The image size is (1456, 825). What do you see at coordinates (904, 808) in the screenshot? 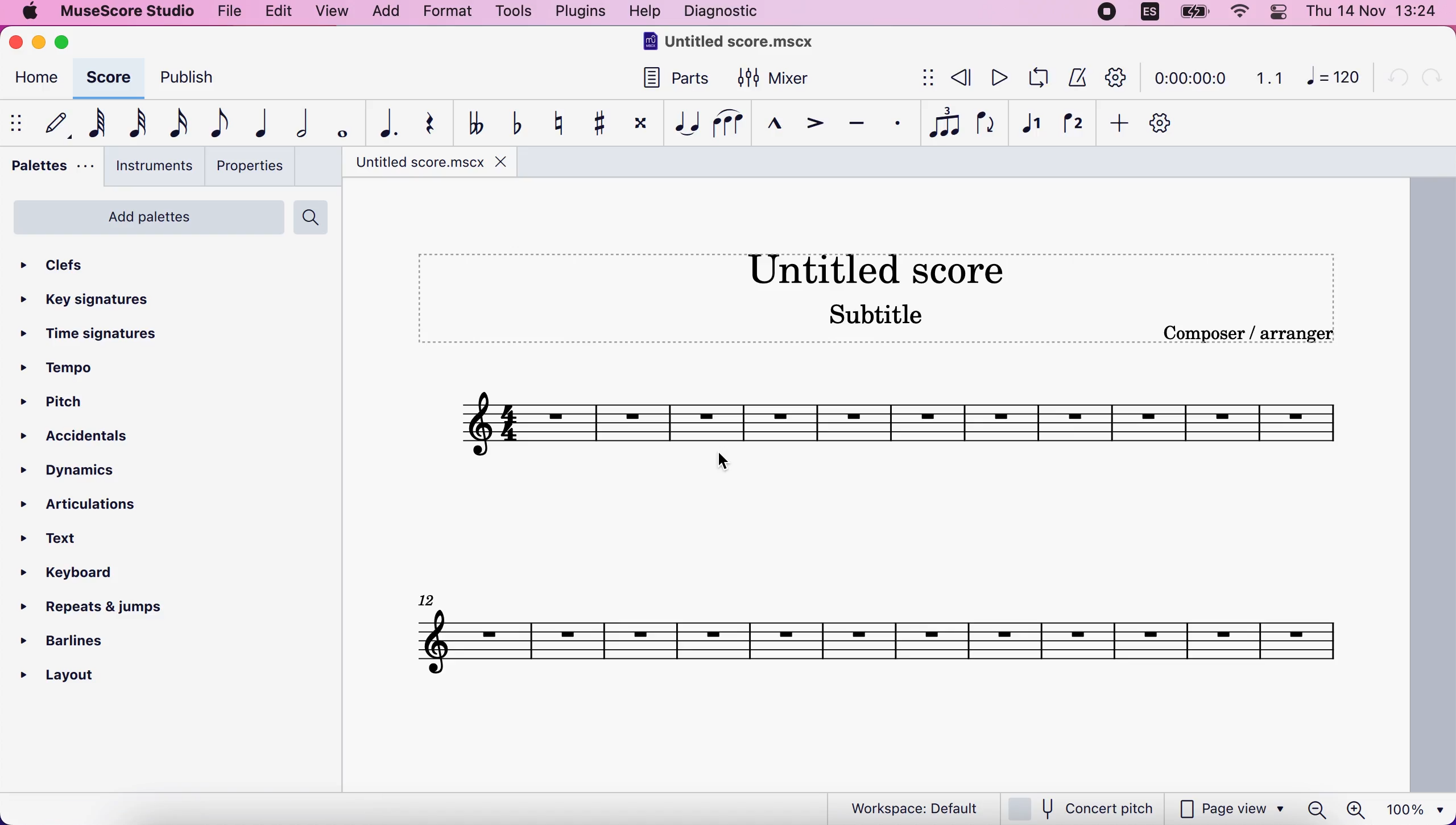
I see `workspace: default` at bounding box center [904, 808].